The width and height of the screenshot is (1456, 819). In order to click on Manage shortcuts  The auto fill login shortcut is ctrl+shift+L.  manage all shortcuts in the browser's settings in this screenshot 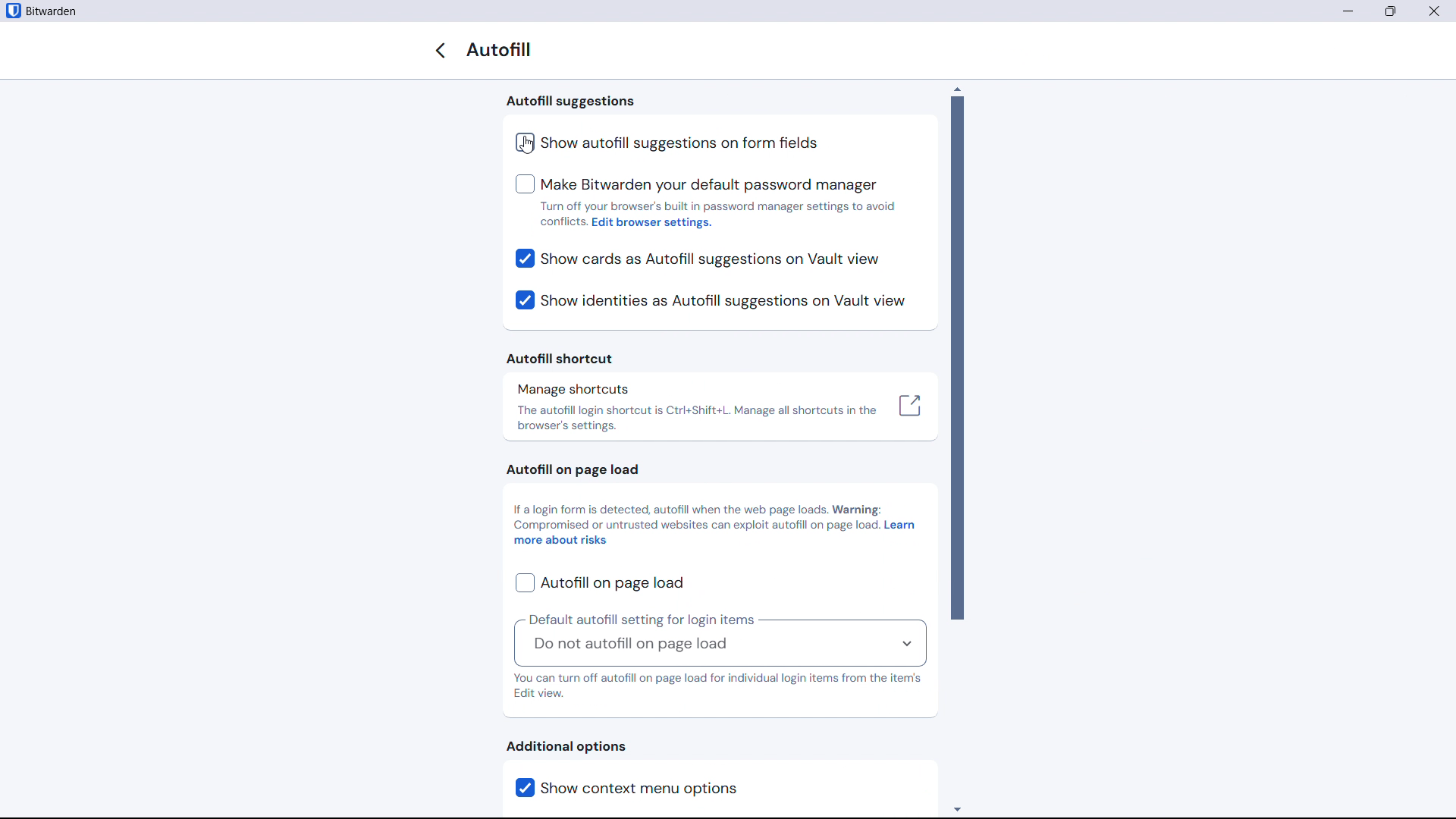, I will do `click(720, 408)`.